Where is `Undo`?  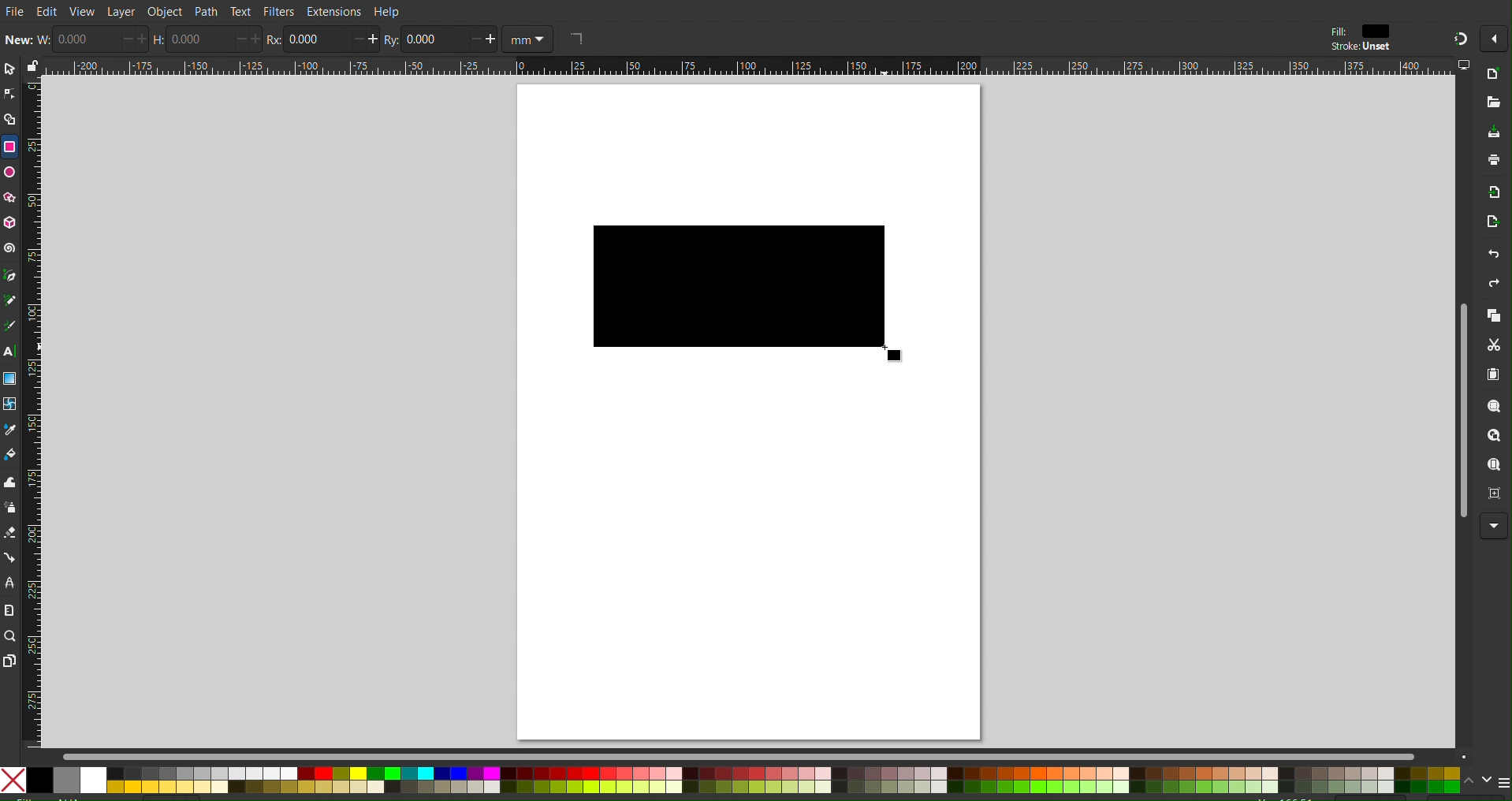
Undo is located at coordinates (1484, 256).